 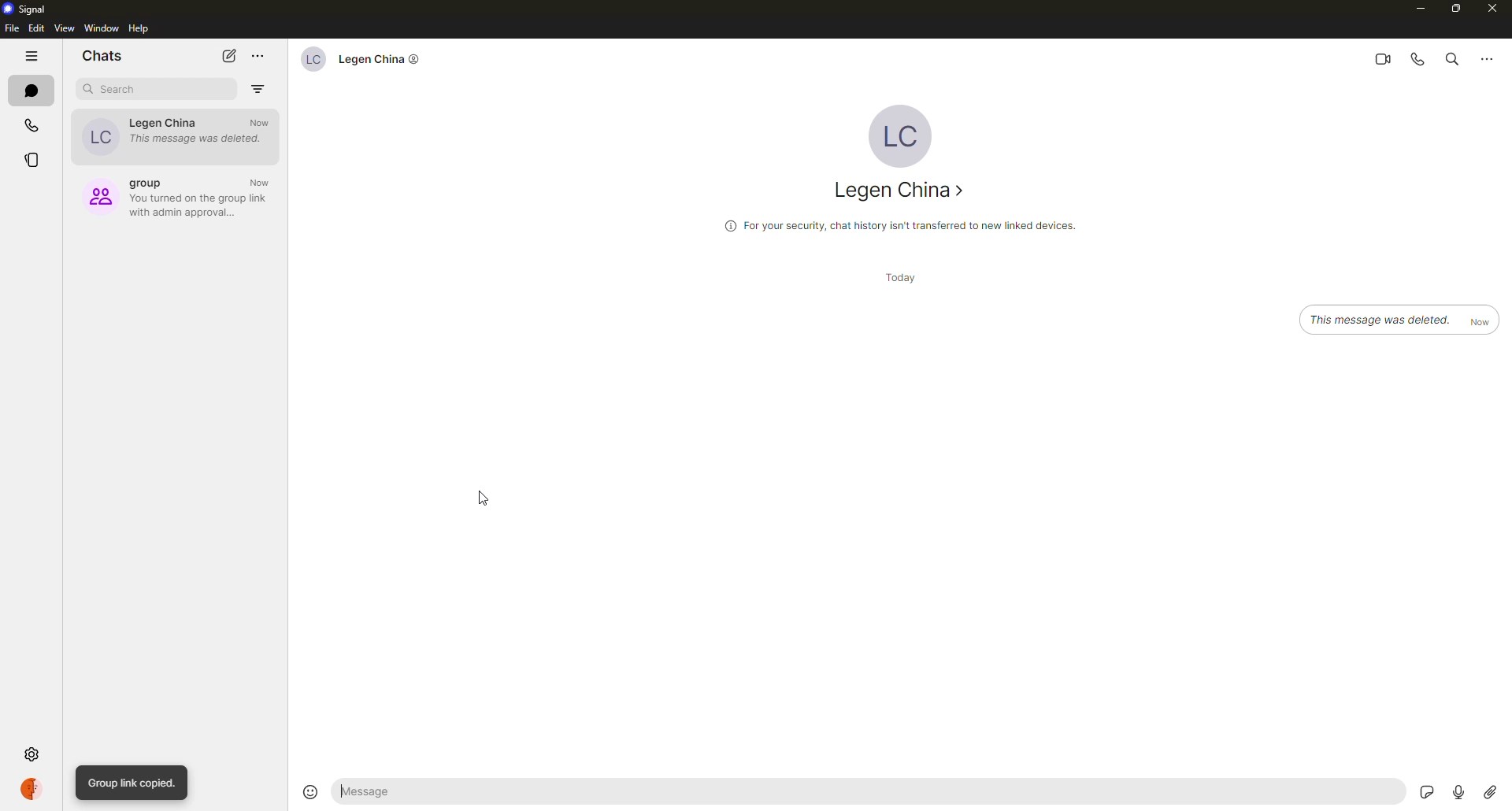 What do you see at coordinates (64, 29) in the screenshot?
I see `view` at bounding box center [64, 29].